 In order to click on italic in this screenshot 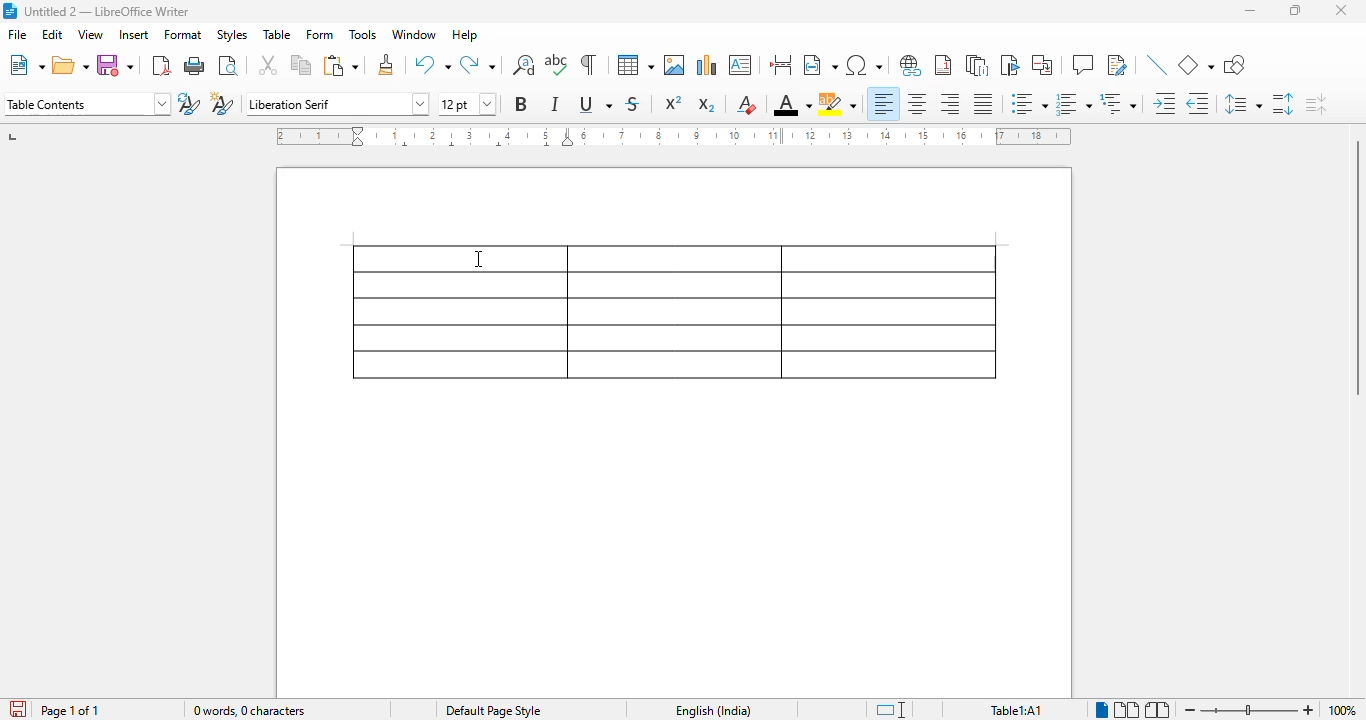, I will do `click(555, 104)`.